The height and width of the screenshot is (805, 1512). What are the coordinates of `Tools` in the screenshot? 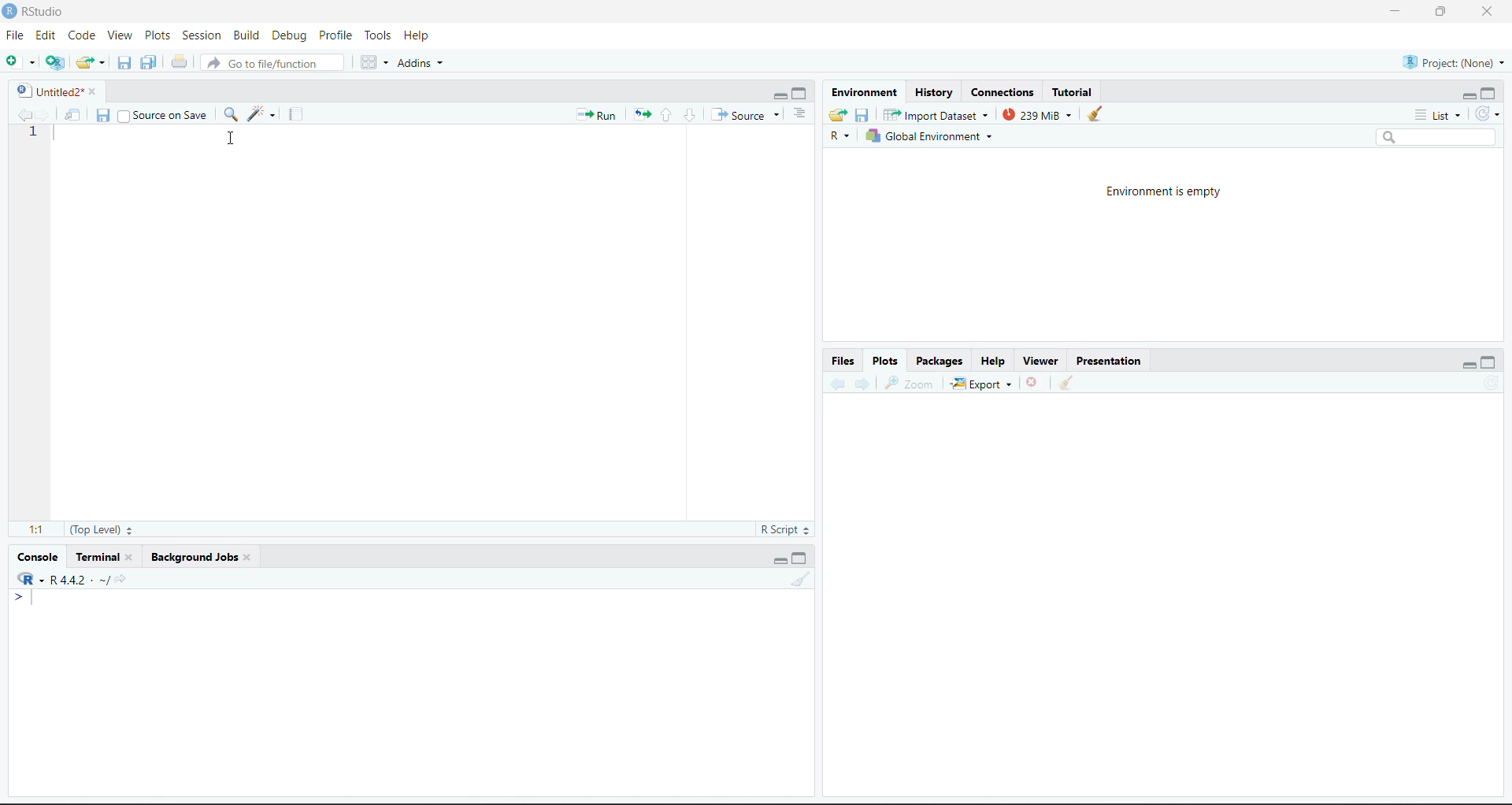 It's located at (377, 35).